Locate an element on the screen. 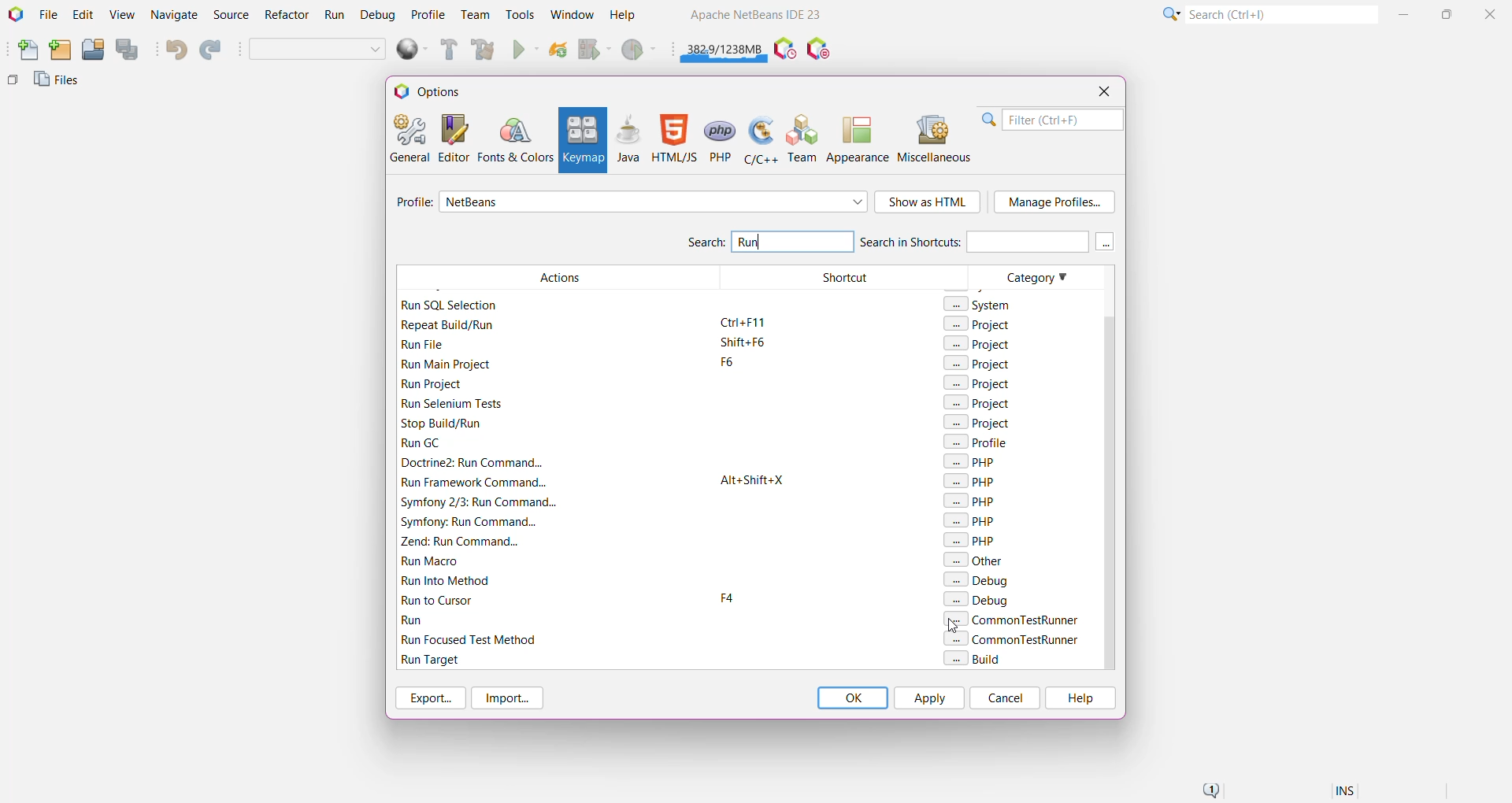 Image resolution: width=1512 pixels, height=803 pixels. Help is located at coordinates (1079, 698).